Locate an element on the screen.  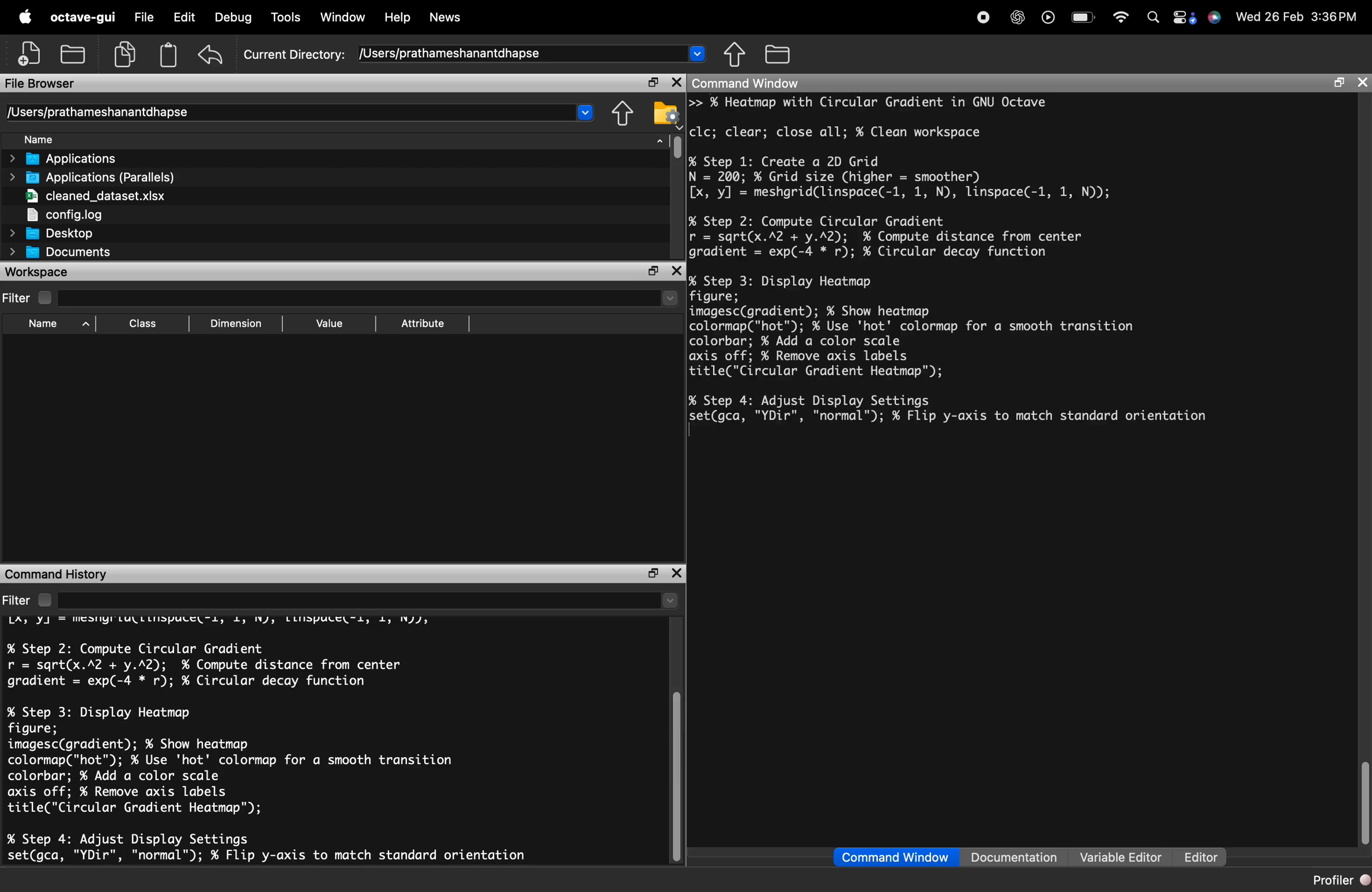
search here is located at coordinates (372, 297).